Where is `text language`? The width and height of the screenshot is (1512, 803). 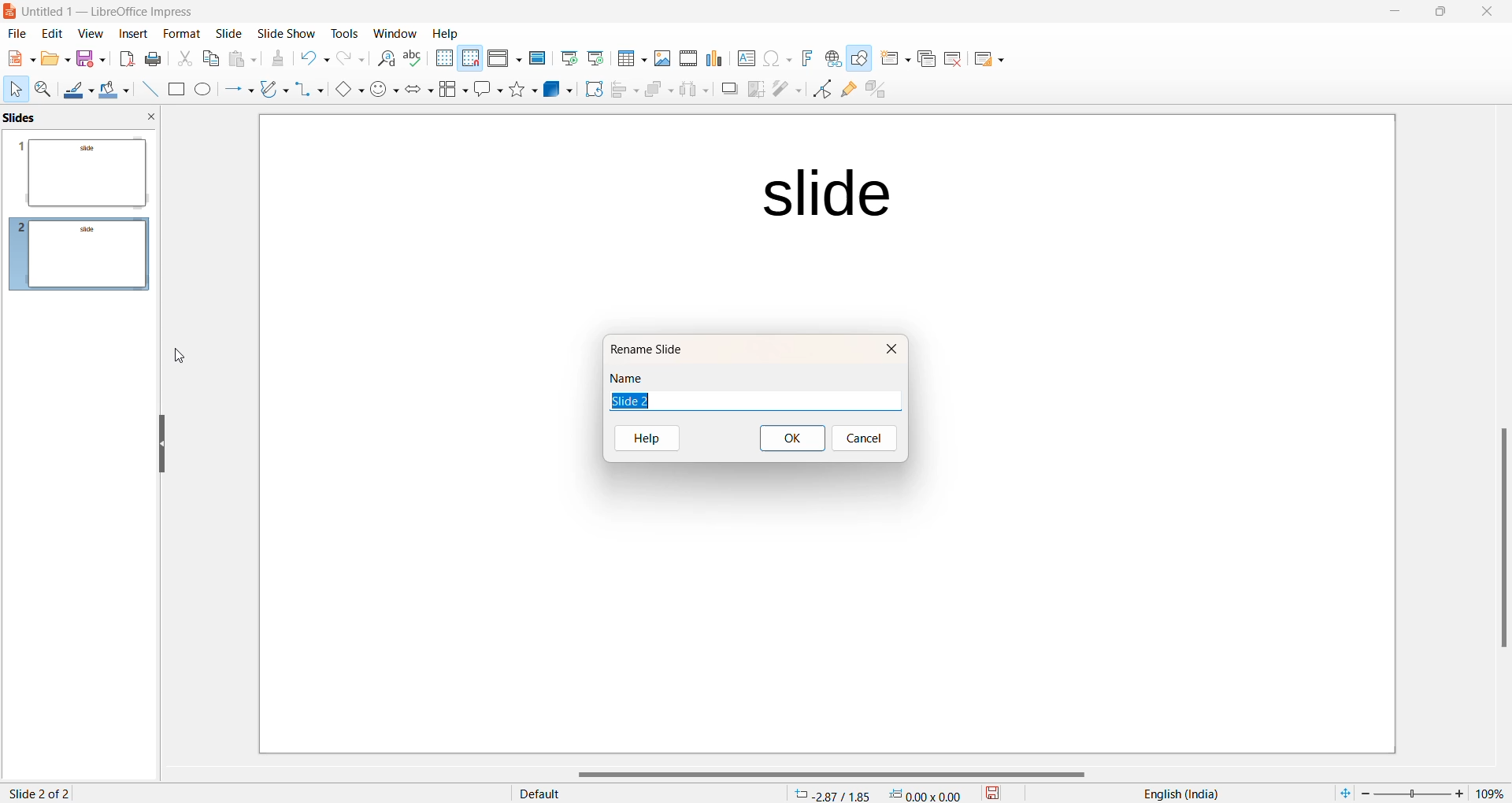
text language is located at coordinates (1185, 793).